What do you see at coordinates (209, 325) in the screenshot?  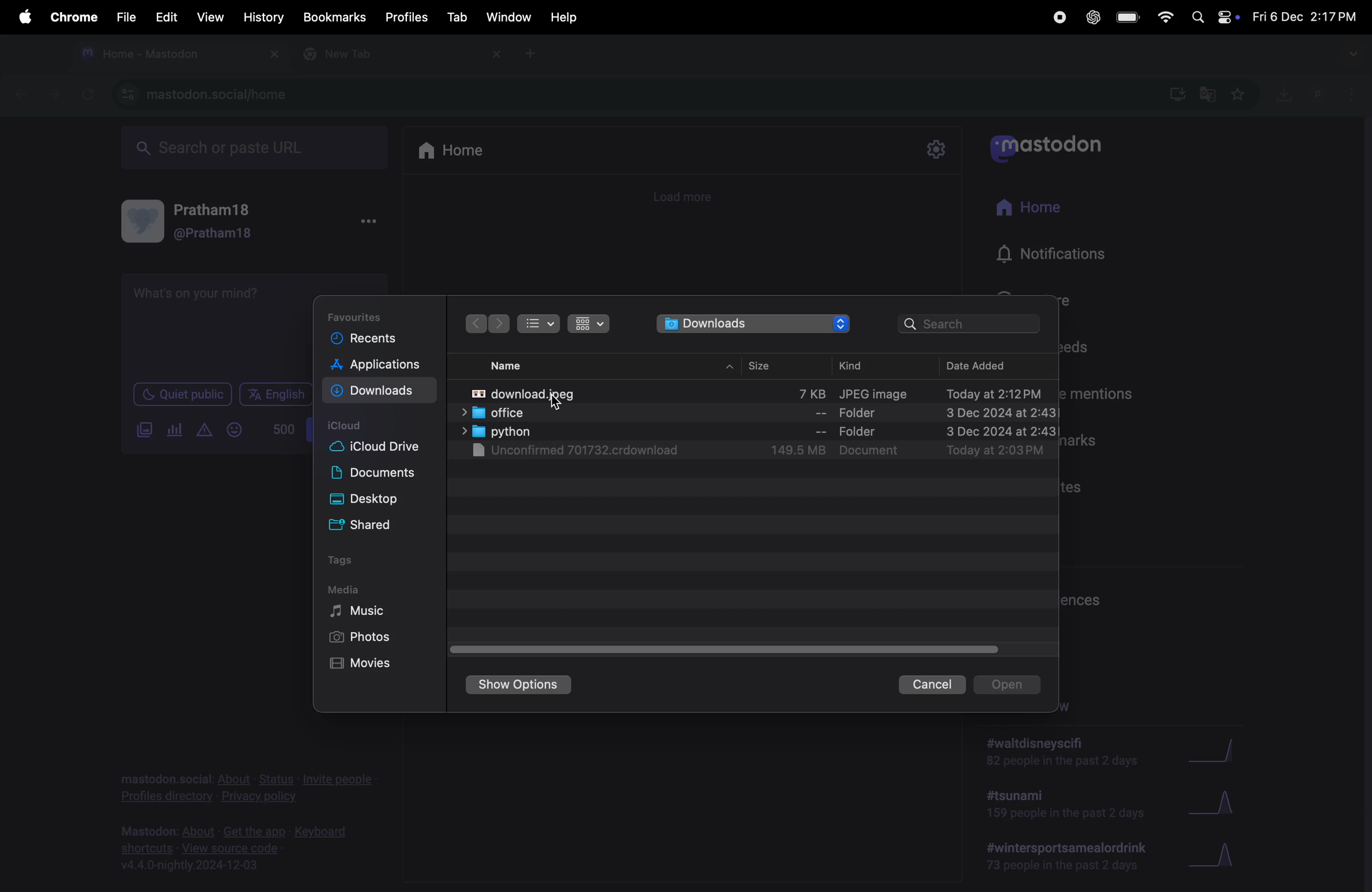 I see `text box` at bounding box center [209, 325].